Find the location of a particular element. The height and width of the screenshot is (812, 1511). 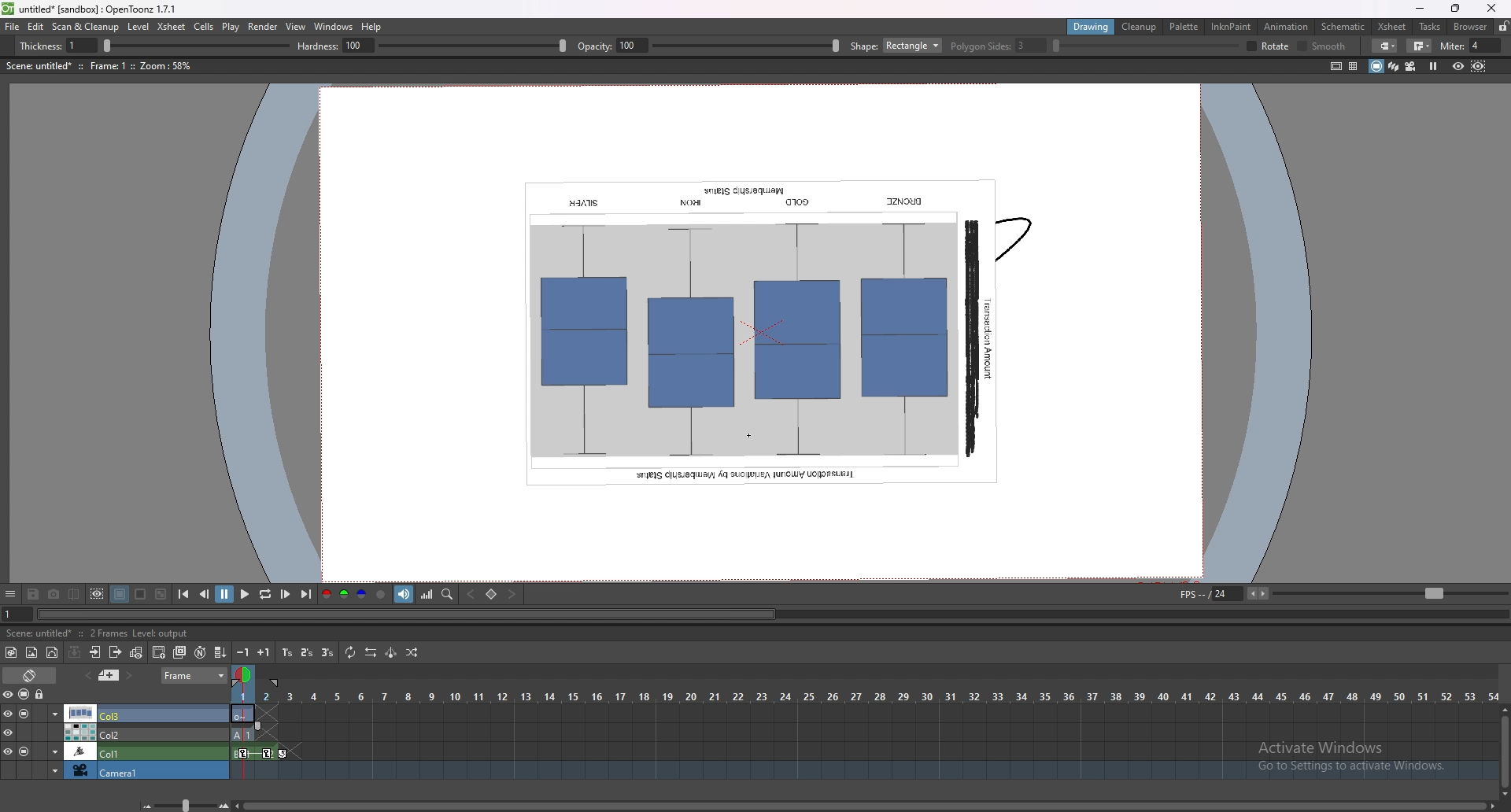

description is located at coordinates (98, 66).